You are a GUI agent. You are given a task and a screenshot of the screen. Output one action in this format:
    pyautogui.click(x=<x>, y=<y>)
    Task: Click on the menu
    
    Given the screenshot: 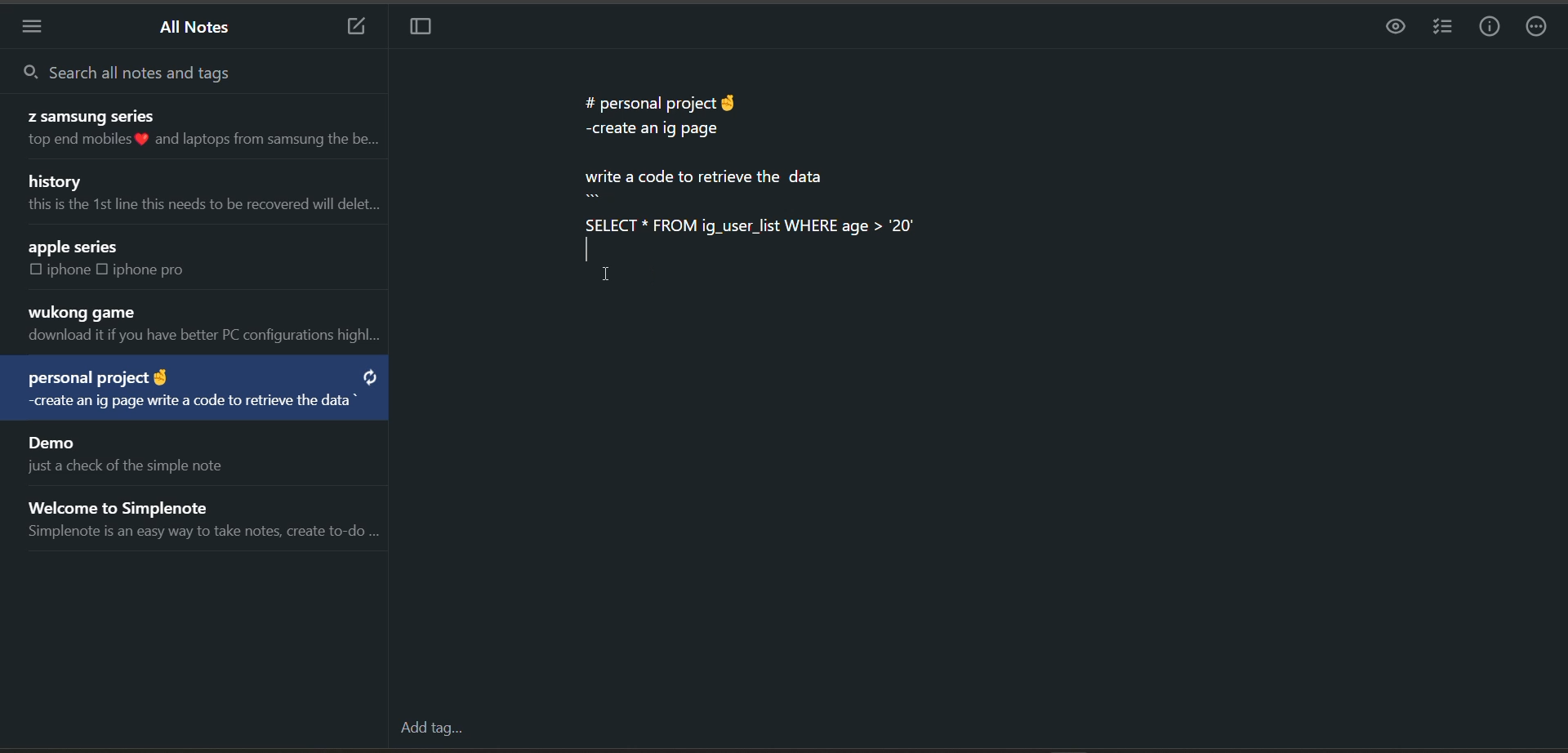 What is the action you would take?
    pyautogui.click(x=38, y=26)
    